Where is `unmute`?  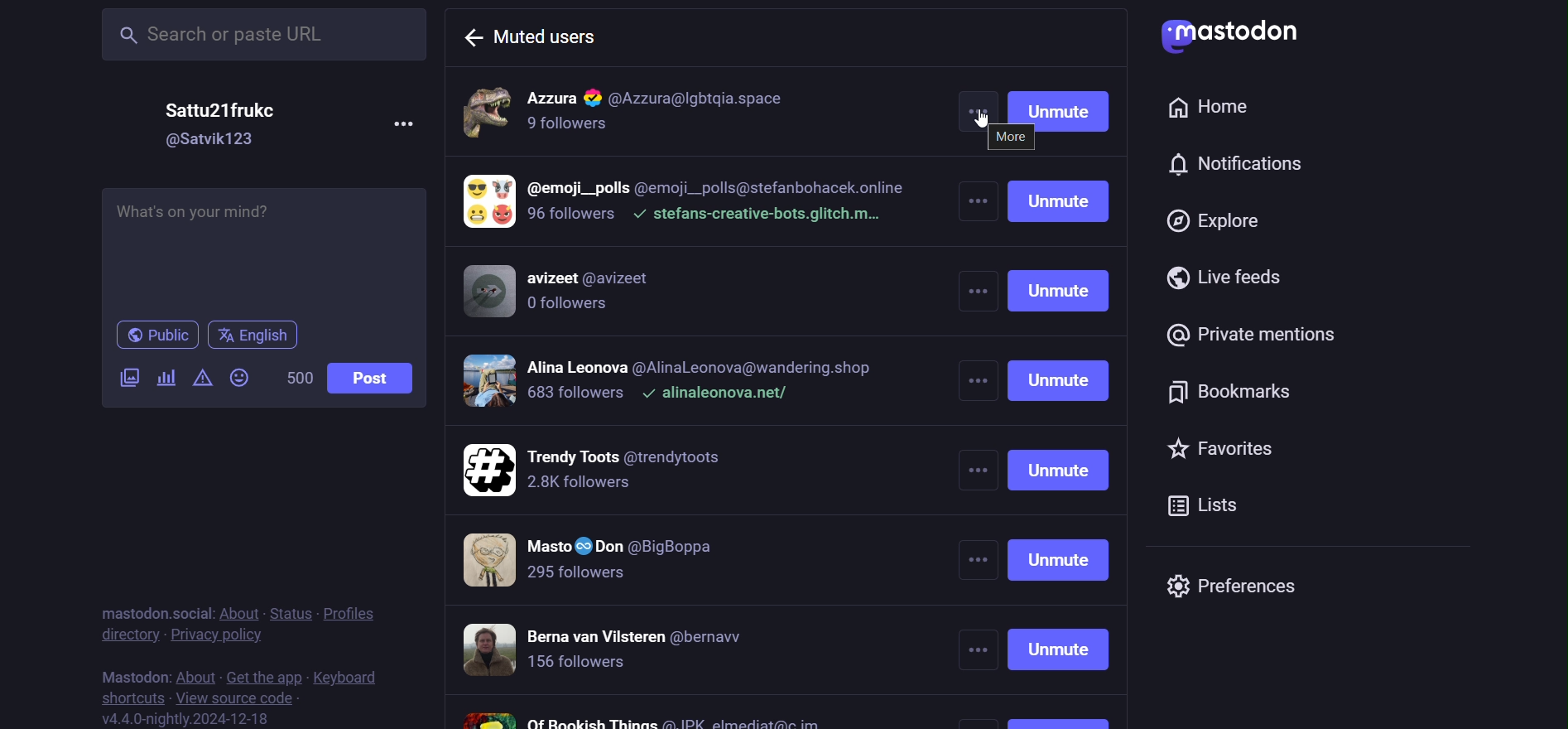
unmute is located at coordinates (1064, 452).